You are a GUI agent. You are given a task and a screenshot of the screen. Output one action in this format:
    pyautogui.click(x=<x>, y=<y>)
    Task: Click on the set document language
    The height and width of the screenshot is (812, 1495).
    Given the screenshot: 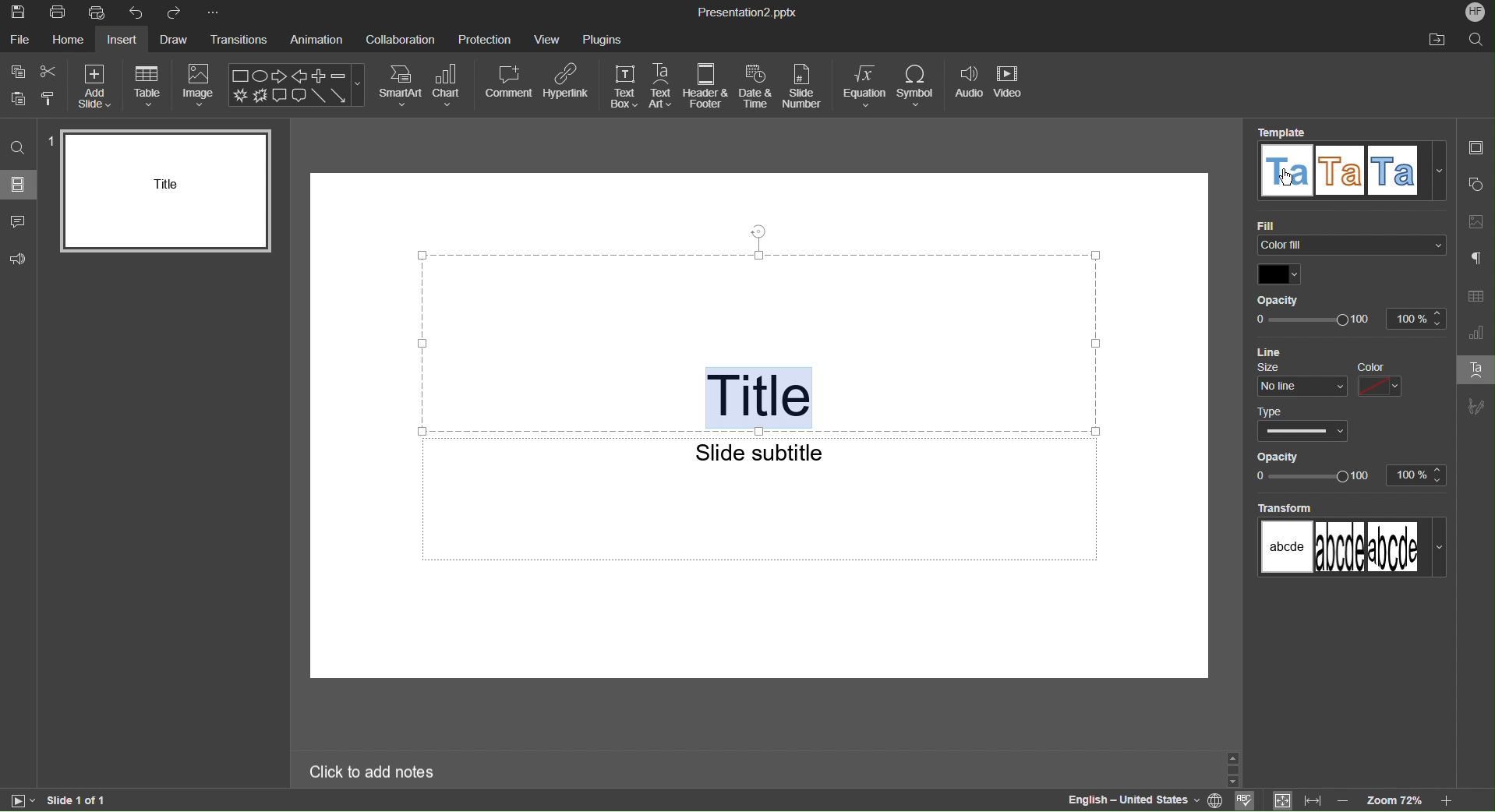 What is the action you would take?
    pyautogui.click(x=1217, y=799)
    